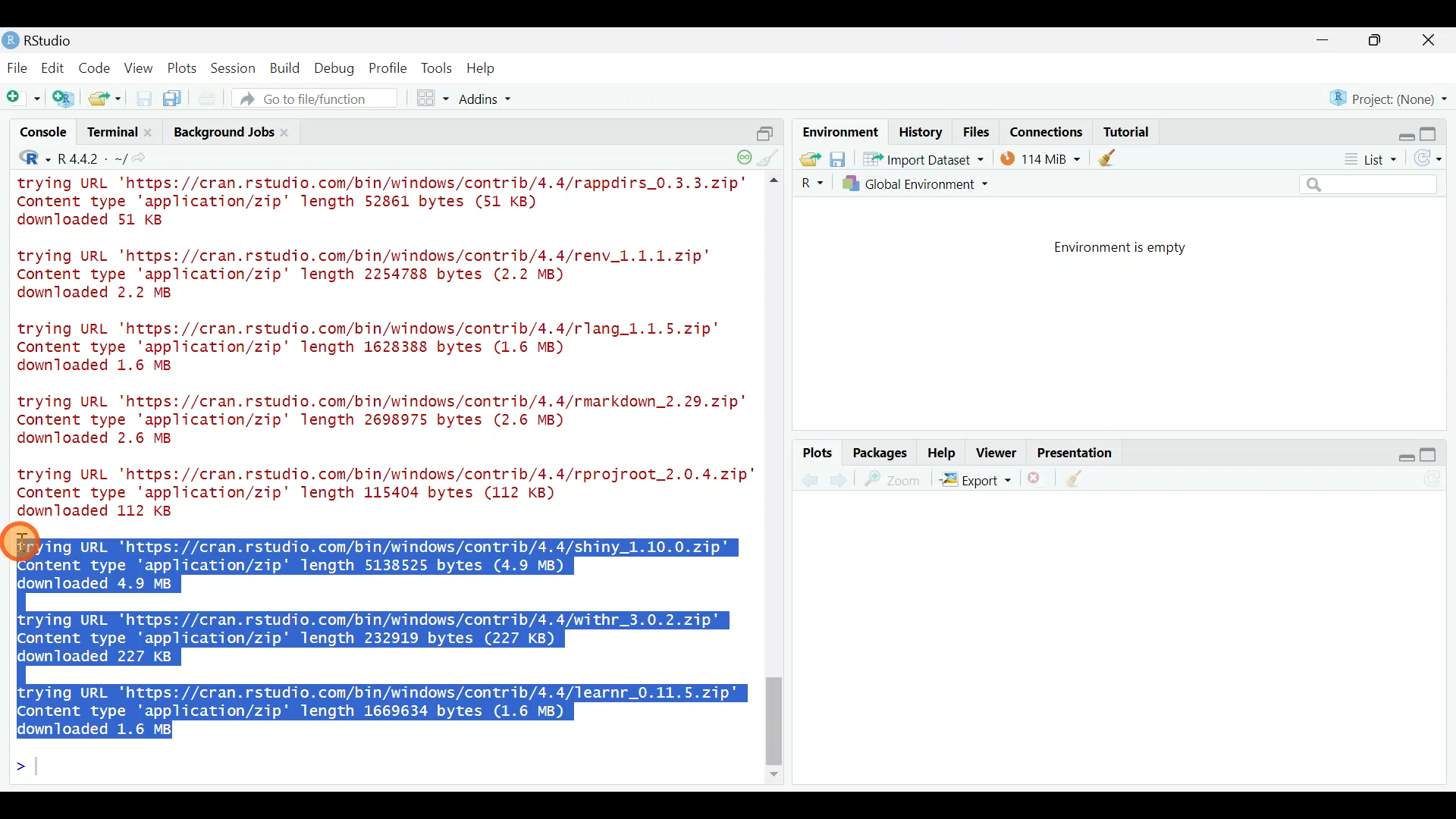 This screenshot has height=819, width=1456. What do you see at coordinates (236, 67) in the screenshot?
I see `Session` at bounding box center [236, 67].